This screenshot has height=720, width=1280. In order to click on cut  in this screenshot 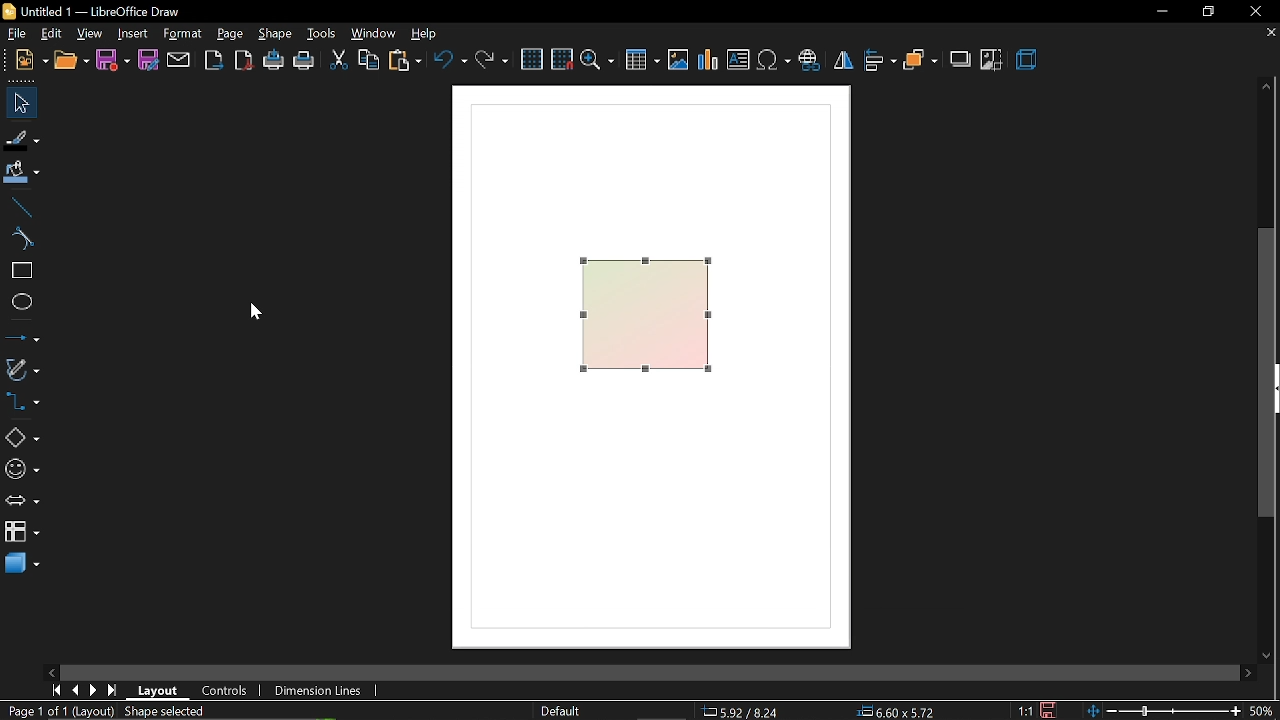, I will do `click(336, 61)`.